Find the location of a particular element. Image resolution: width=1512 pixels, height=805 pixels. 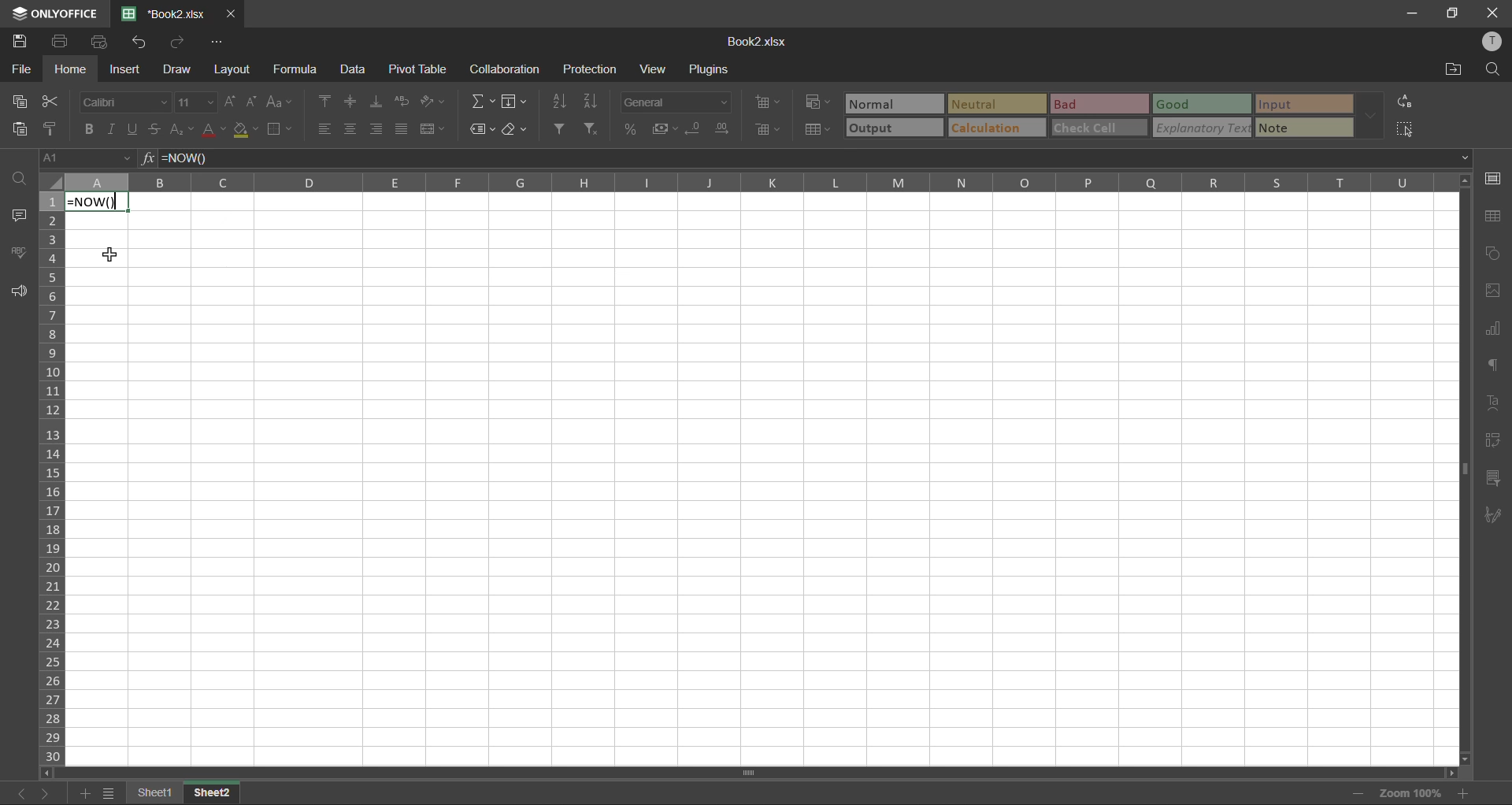

fields is located at coordinates (513, 103).